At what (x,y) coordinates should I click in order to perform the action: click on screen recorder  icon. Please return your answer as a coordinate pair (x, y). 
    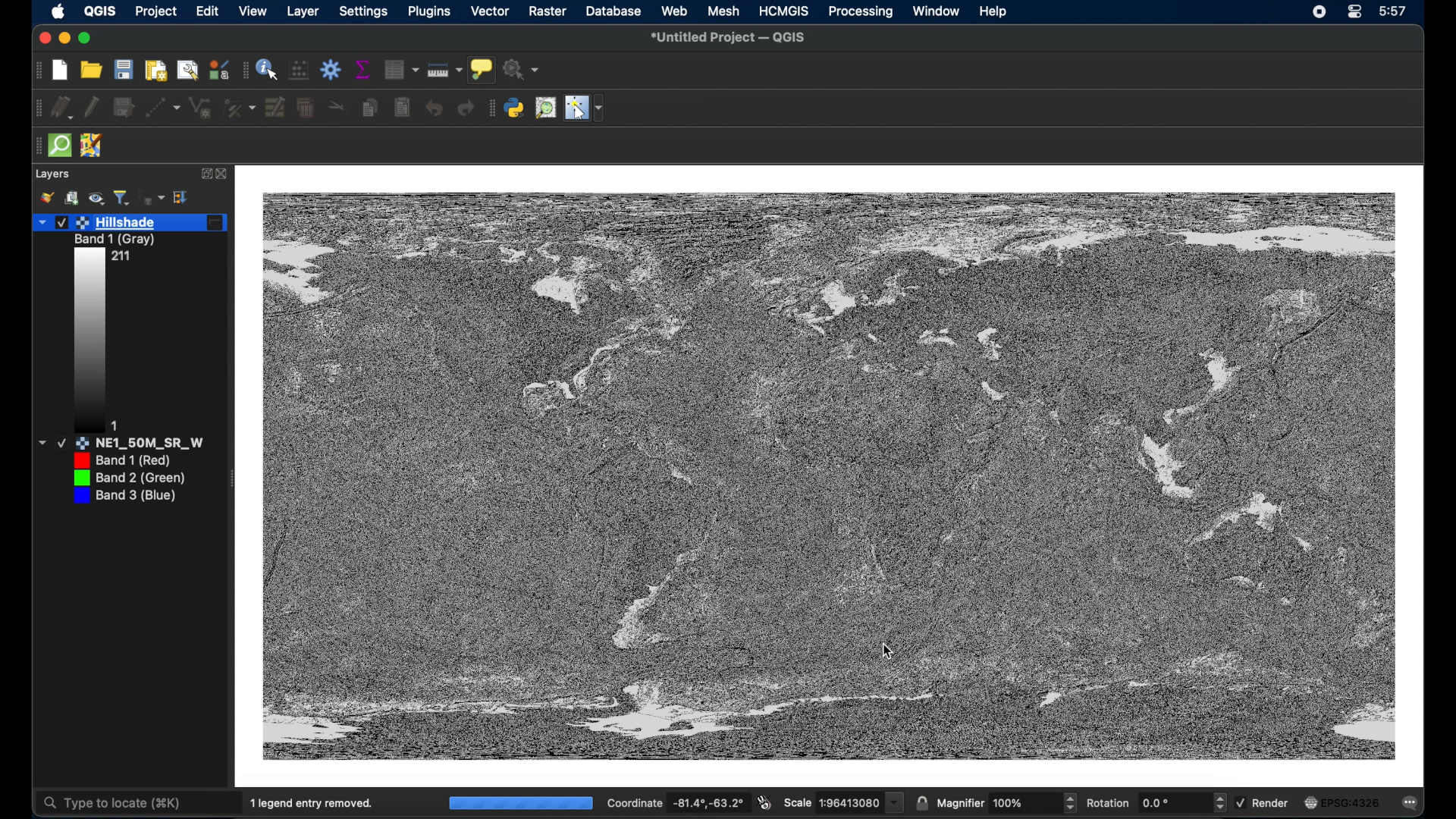
    Looking at the image, I should click on (1319, 13).